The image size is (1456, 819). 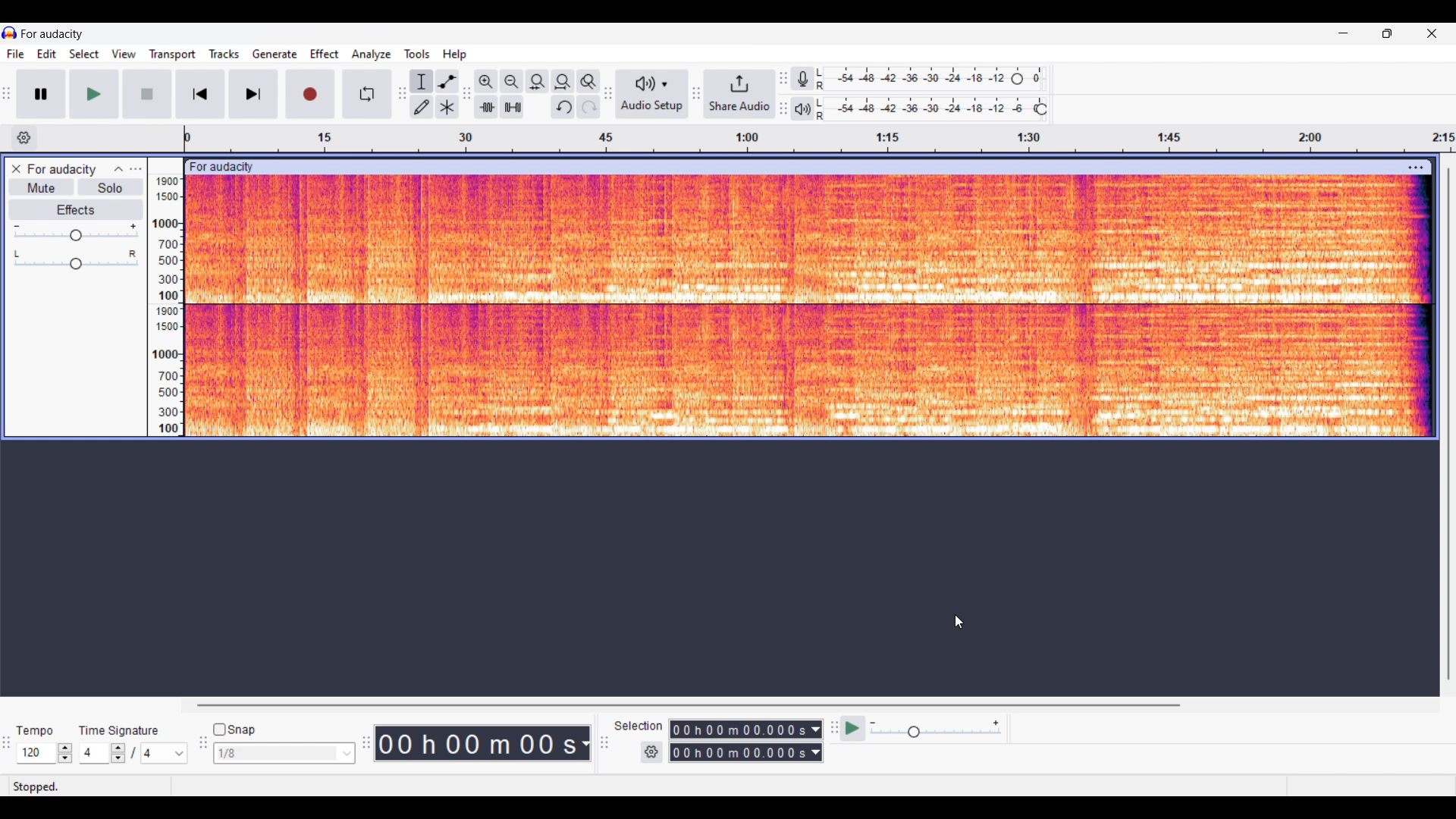 I want to click on Solo, so click(x=111, y=187).